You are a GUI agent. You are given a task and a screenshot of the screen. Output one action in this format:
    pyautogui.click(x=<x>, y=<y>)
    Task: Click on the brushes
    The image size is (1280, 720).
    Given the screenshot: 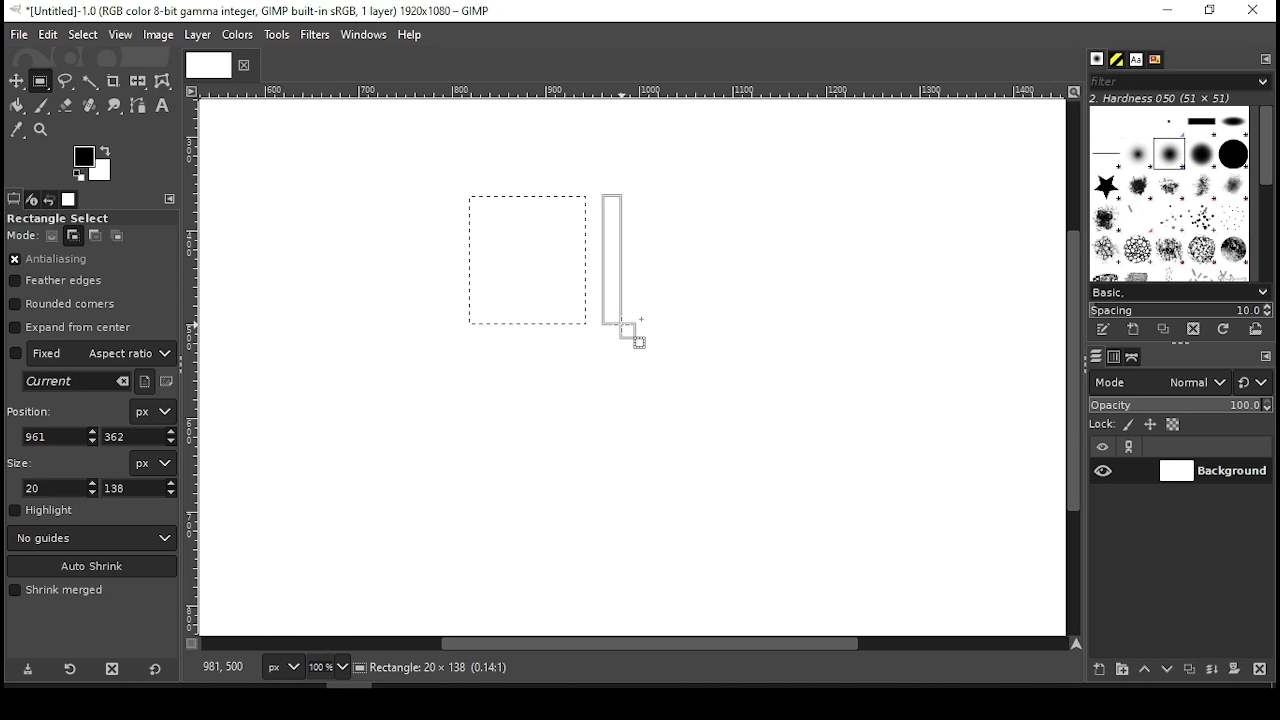 What is the action you would take?
    pyautogui.click(x=1169, y=193)
    